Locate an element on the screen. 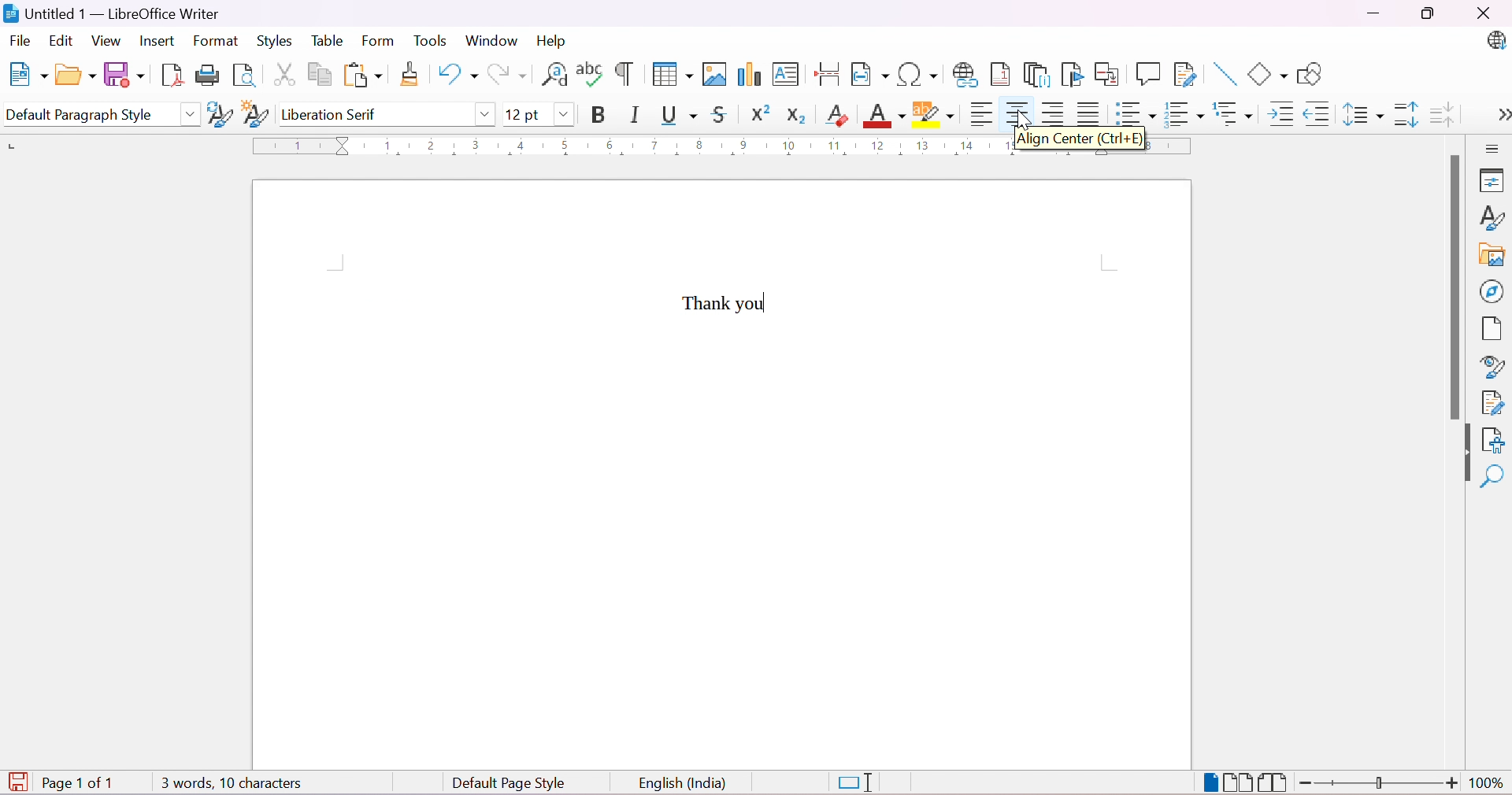 The height and width of the screenshot is (795, 1512). 3 words, 10 characters is located at coordinates (231, 782).